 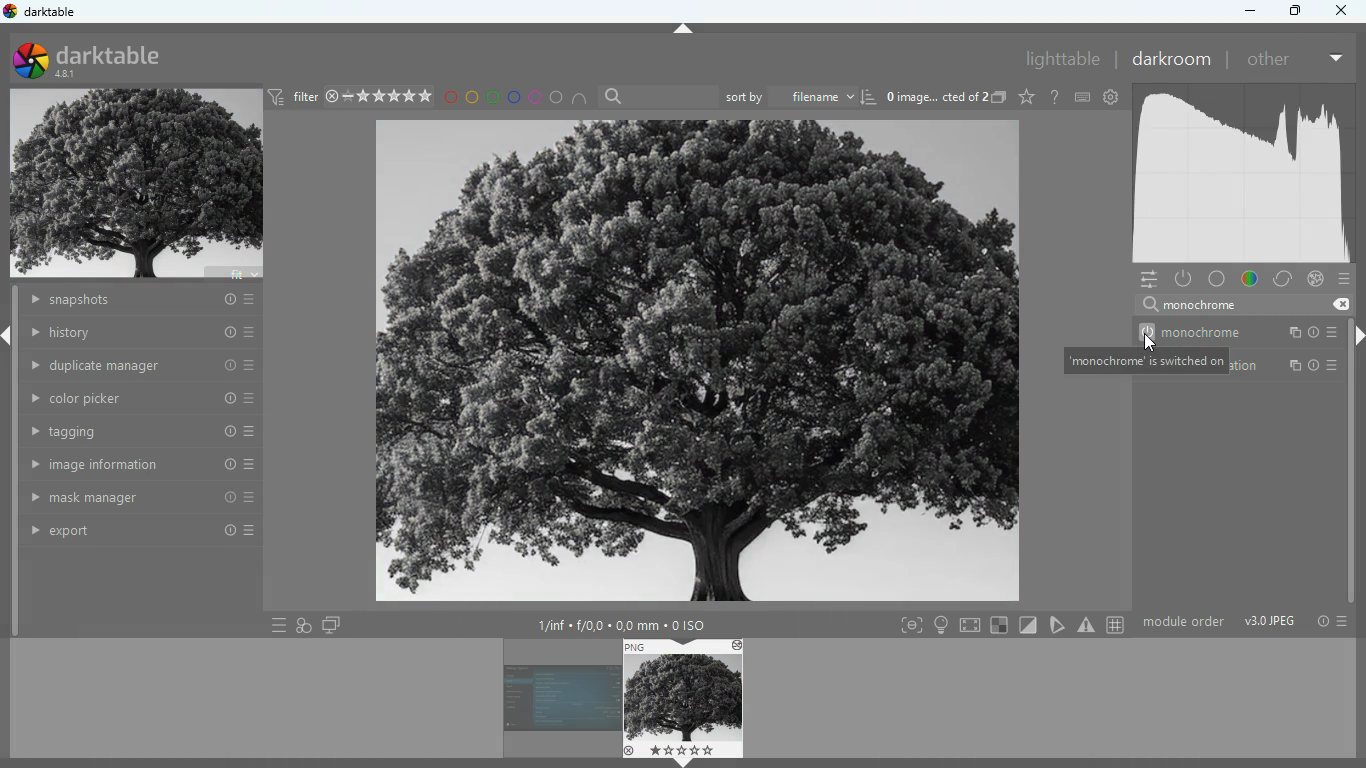 What do you see at coordinates (999, 98) in the screenshot?
I see `copy` at bounding box center [999, 98].